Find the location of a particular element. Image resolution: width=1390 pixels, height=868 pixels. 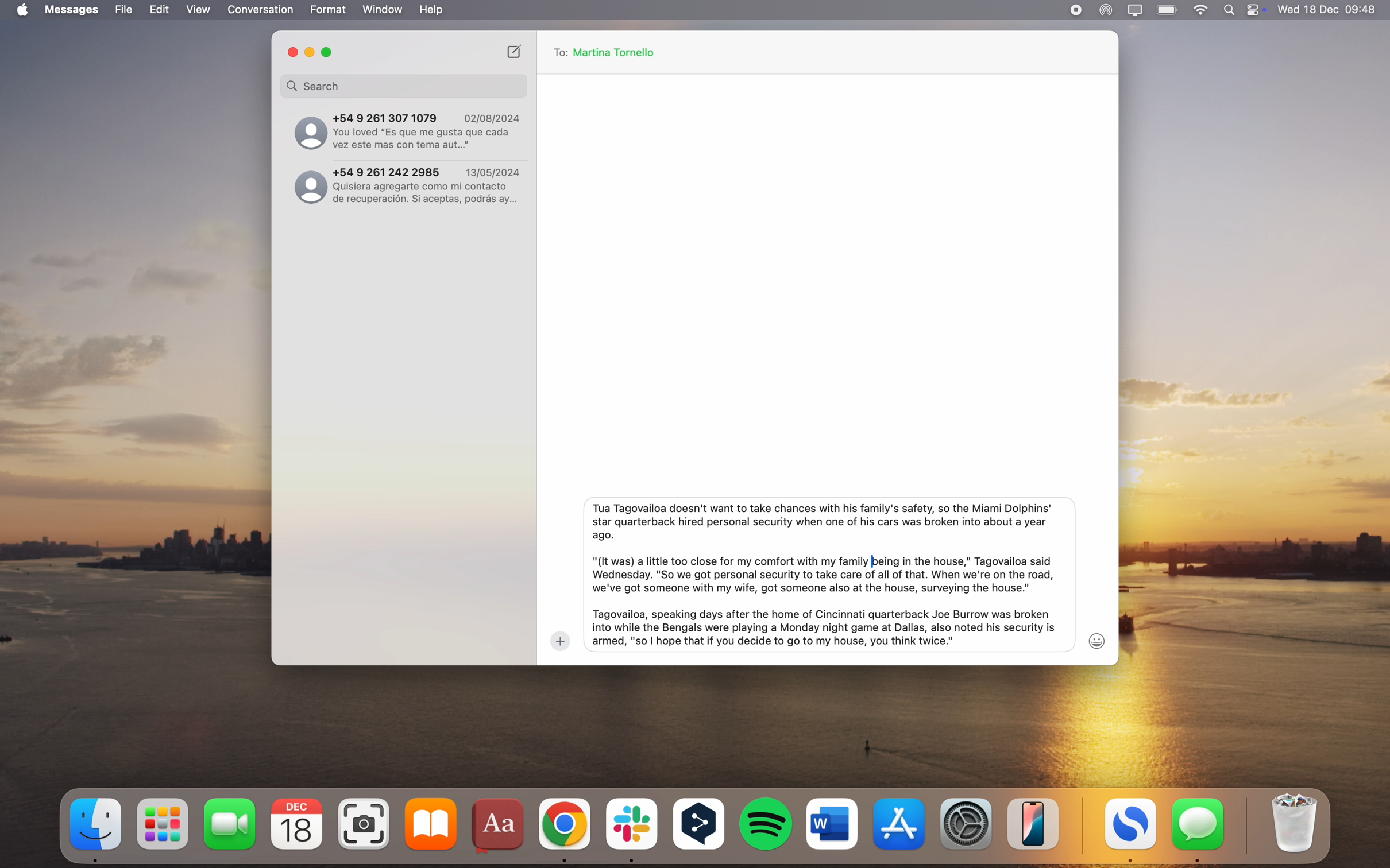

screen controls is located at coordinates (1258, 10).